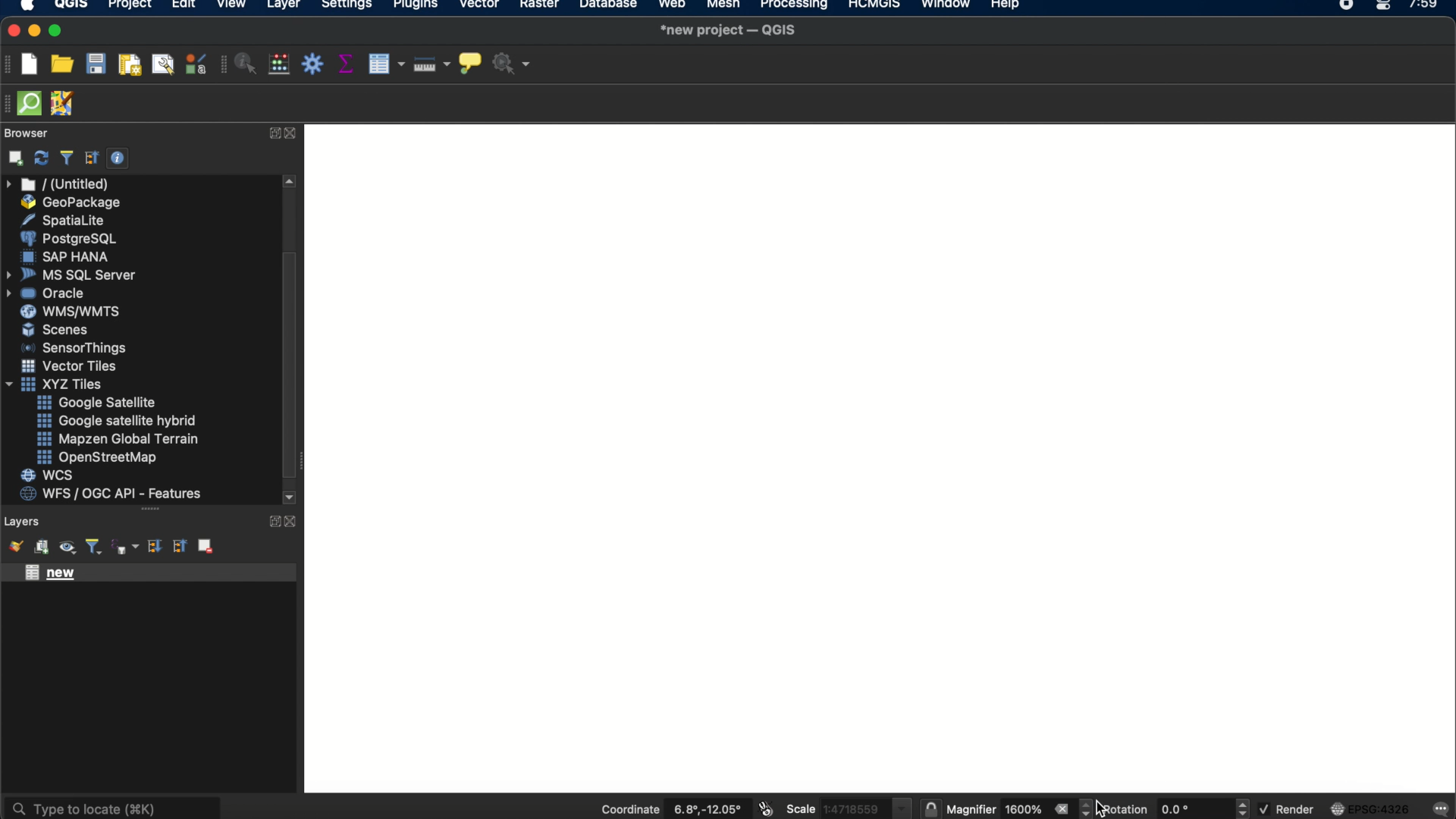 This screenshot has height=819, width=1456. I want to click on Scale, so click(818, 808).